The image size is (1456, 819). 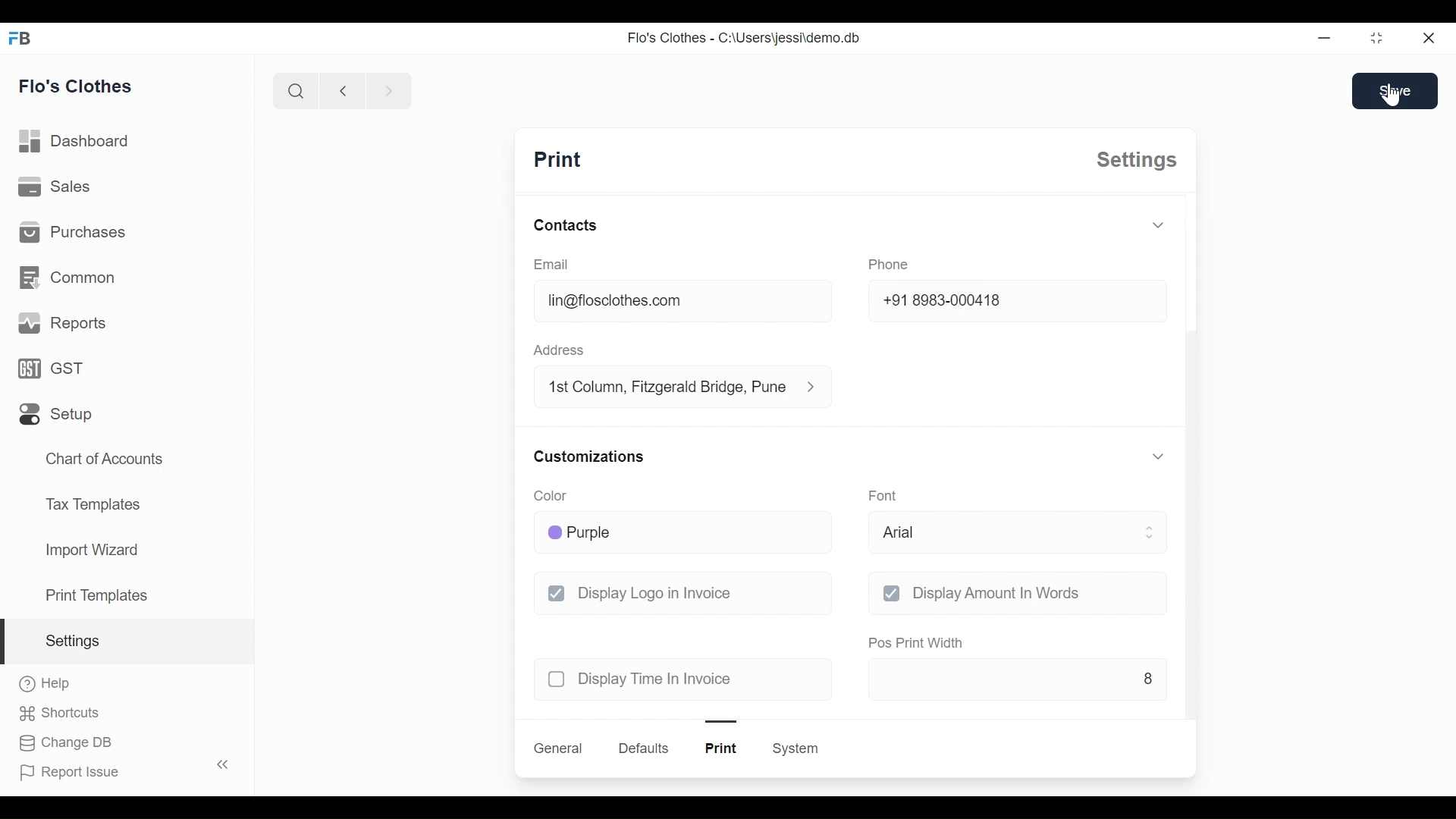 What do you see at coordinates (549, 495) in the screenshot?
I see `color` at bounding box center [549, 495].